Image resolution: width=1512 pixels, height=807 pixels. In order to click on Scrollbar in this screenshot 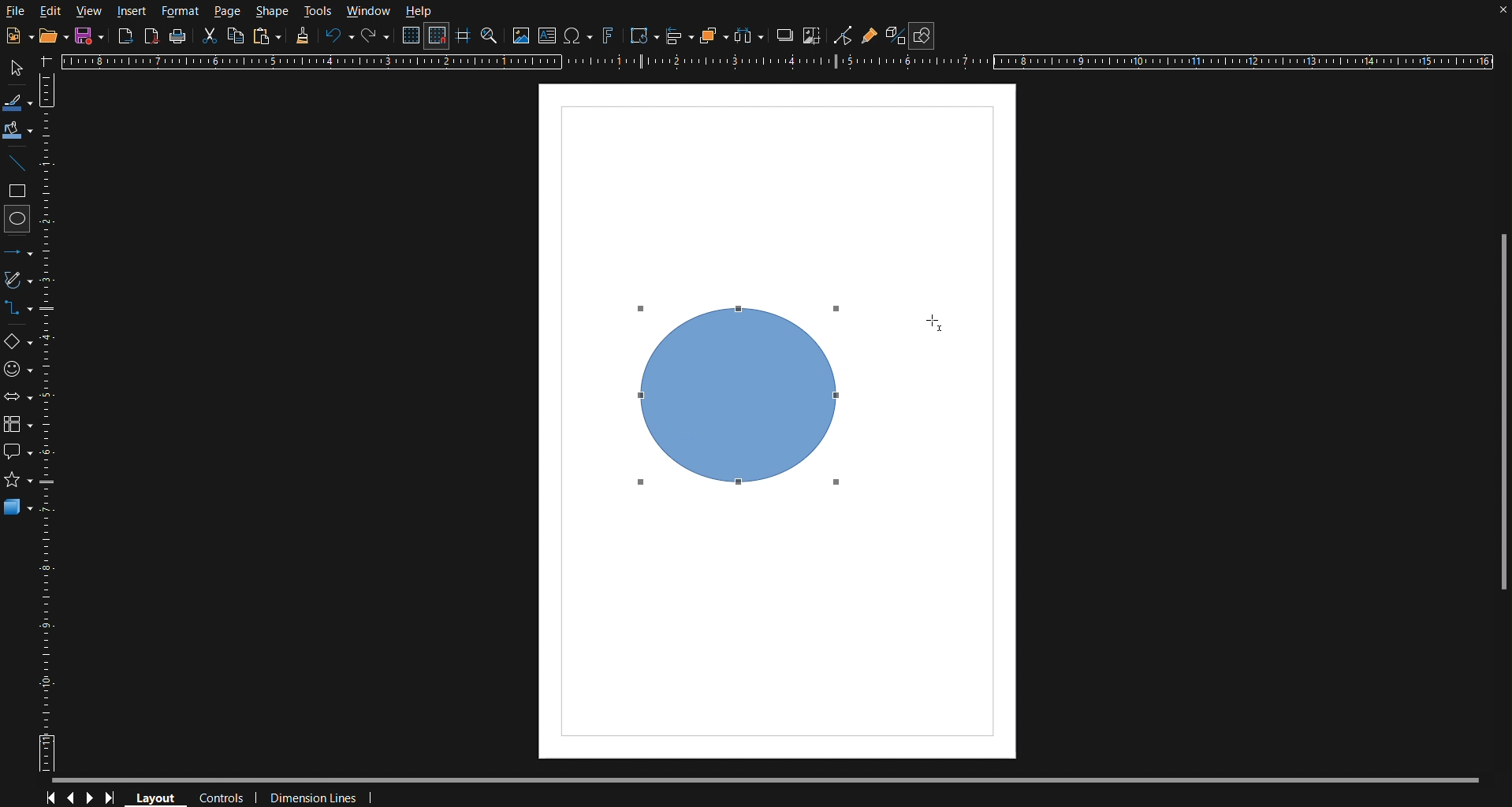, I will do `click(1497, 407)`.